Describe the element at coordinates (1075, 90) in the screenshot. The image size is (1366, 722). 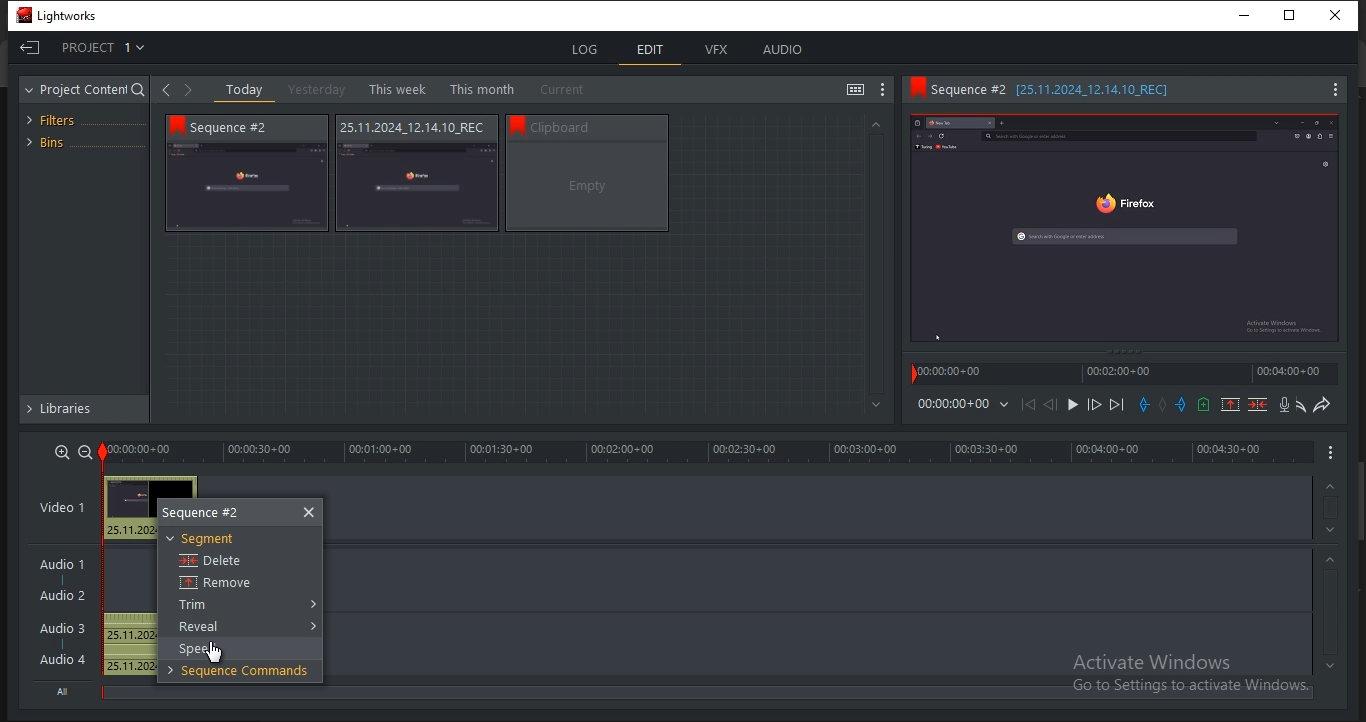
I see `Sequence information` at that location.